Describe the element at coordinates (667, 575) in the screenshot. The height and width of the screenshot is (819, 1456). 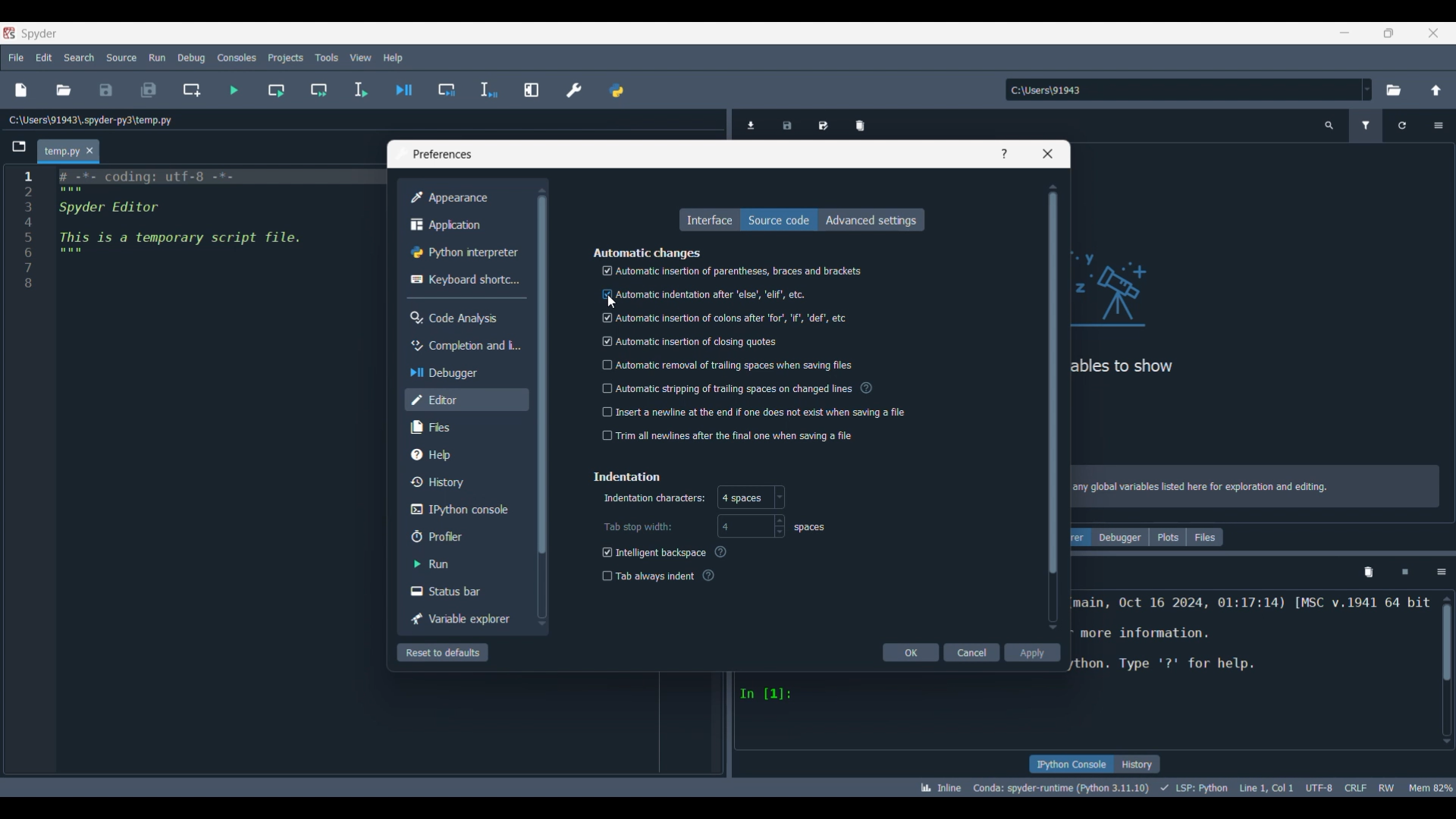
I see `Tab always indent (?)` at that location.